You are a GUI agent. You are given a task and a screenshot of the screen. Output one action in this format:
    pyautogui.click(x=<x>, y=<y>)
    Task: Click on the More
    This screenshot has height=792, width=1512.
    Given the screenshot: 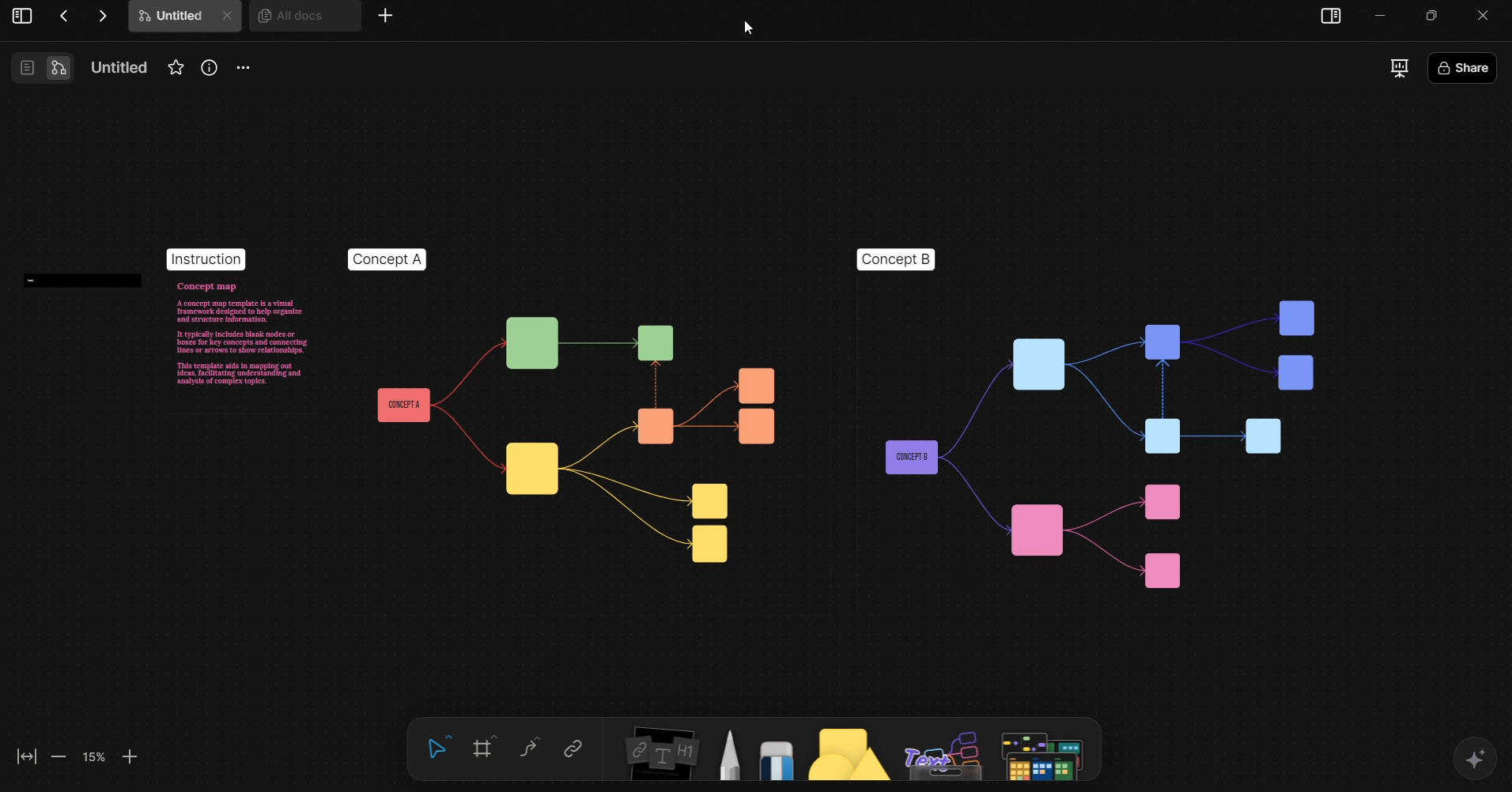 What is the action you would take?
    pyautogui.click(x=244, y=70)
    